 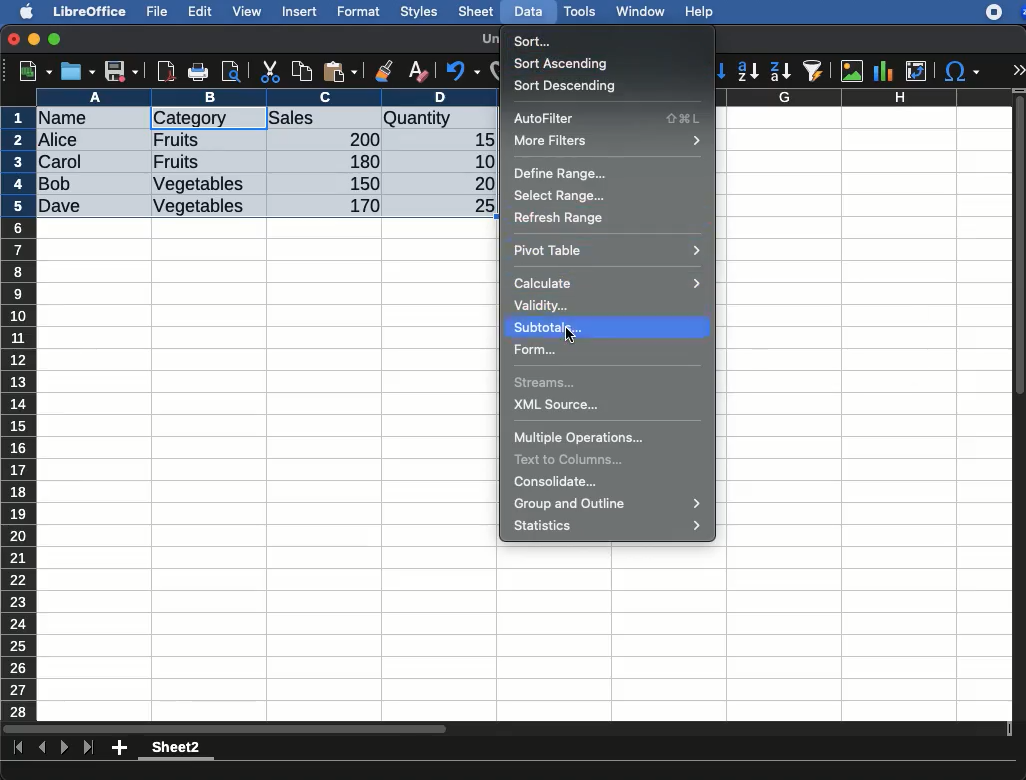 I want to click on Carol, so click(x=77, y=163).